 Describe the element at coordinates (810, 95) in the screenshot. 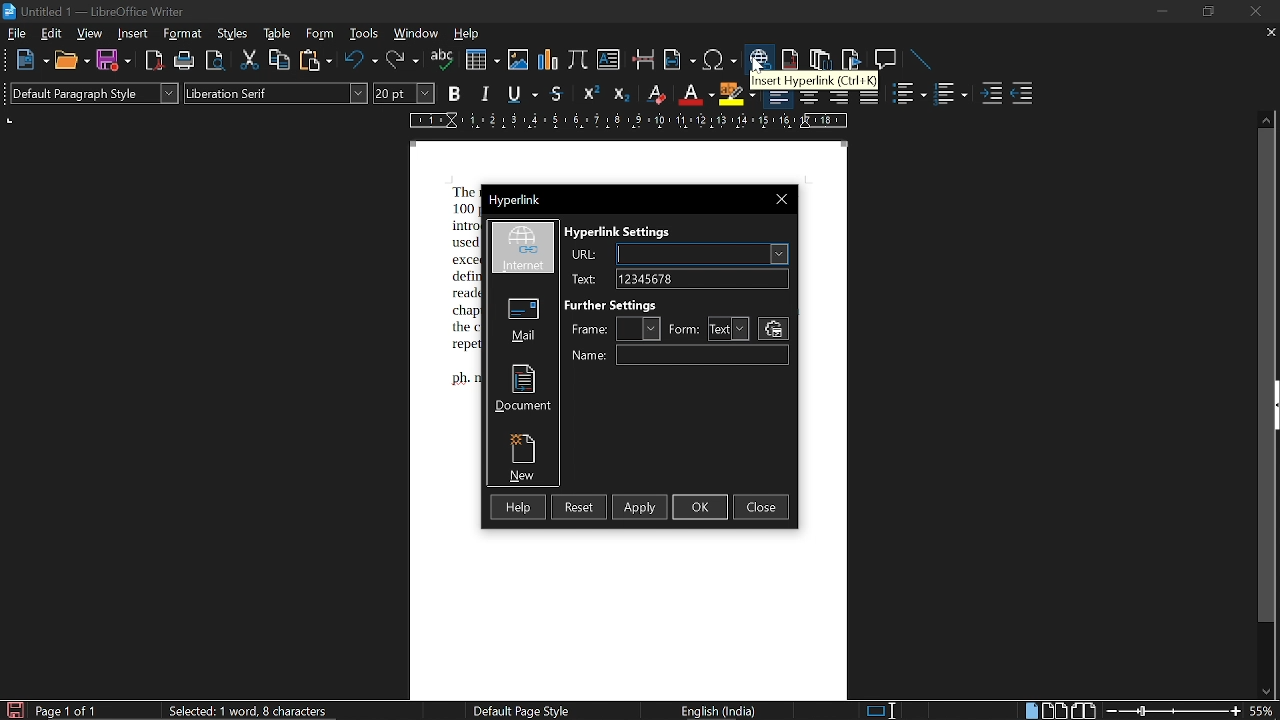

I see `align center` at that location.